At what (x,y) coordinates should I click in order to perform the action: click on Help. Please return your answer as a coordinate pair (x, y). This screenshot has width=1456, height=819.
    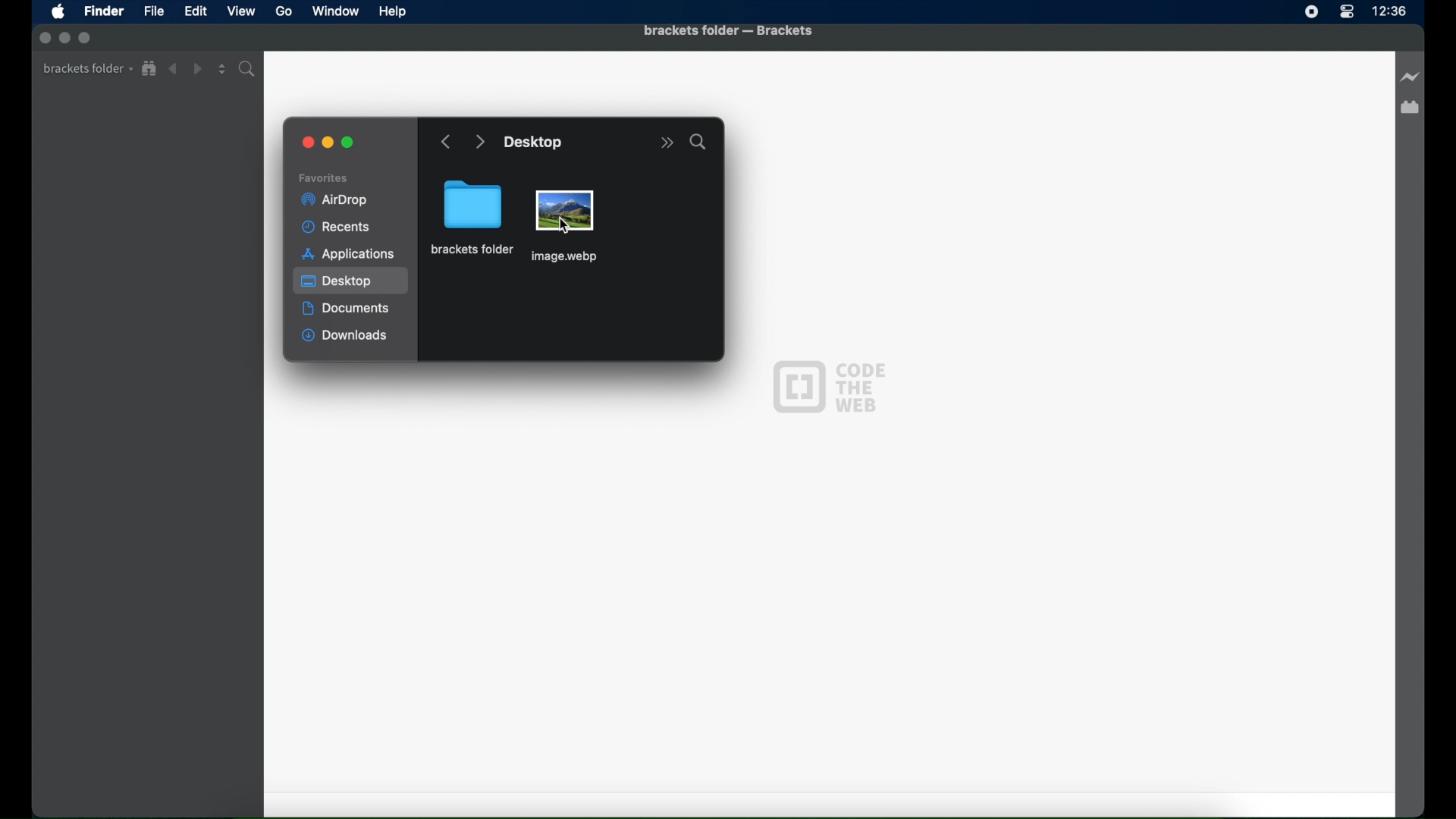
    Looking at the image, I should click on (393, 12).